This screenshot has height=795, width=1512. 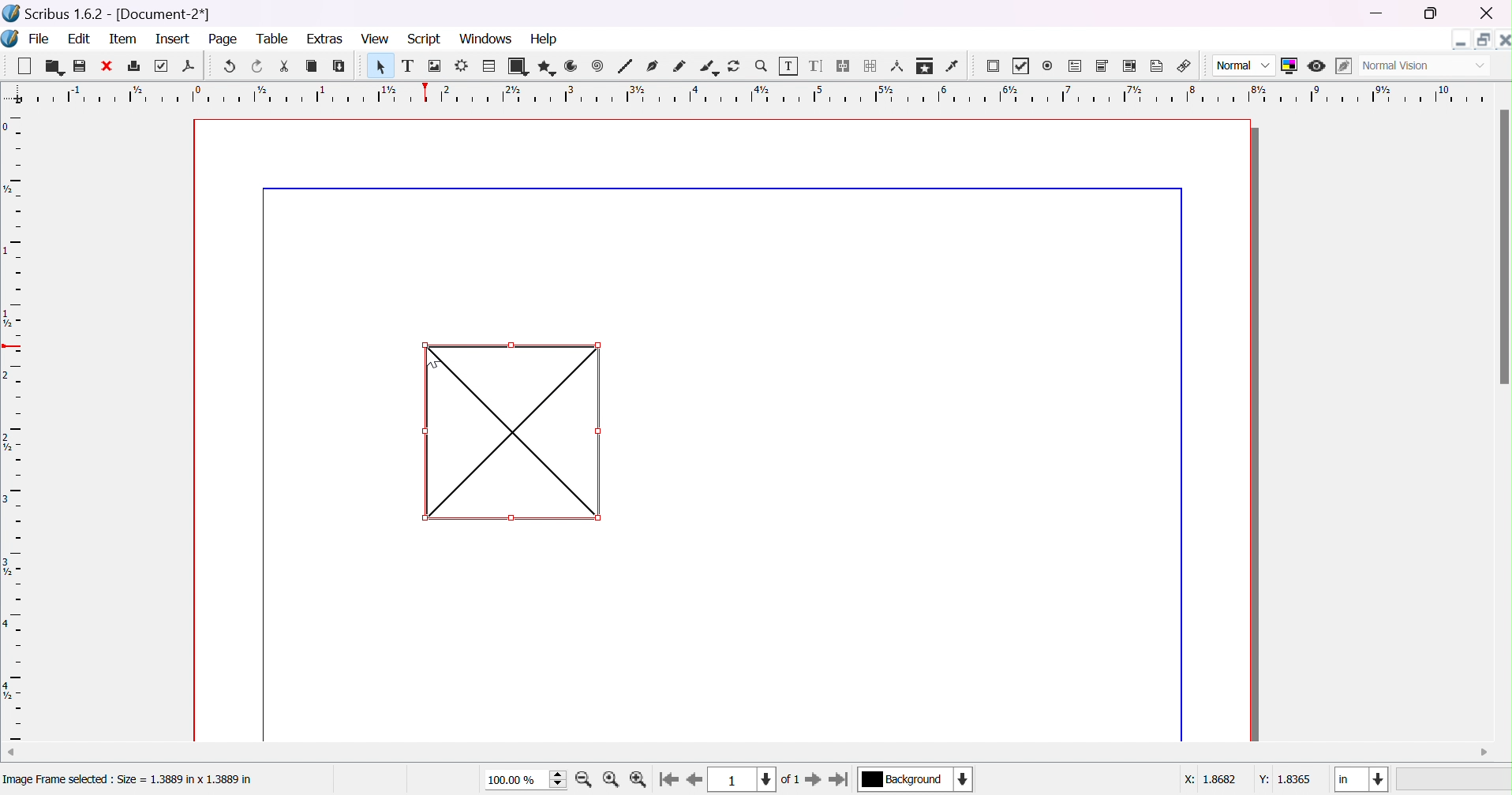 What do you see at coordinates (812, 779) in the screenshot?
I see `go to next page` at bounding box center [812, 779].